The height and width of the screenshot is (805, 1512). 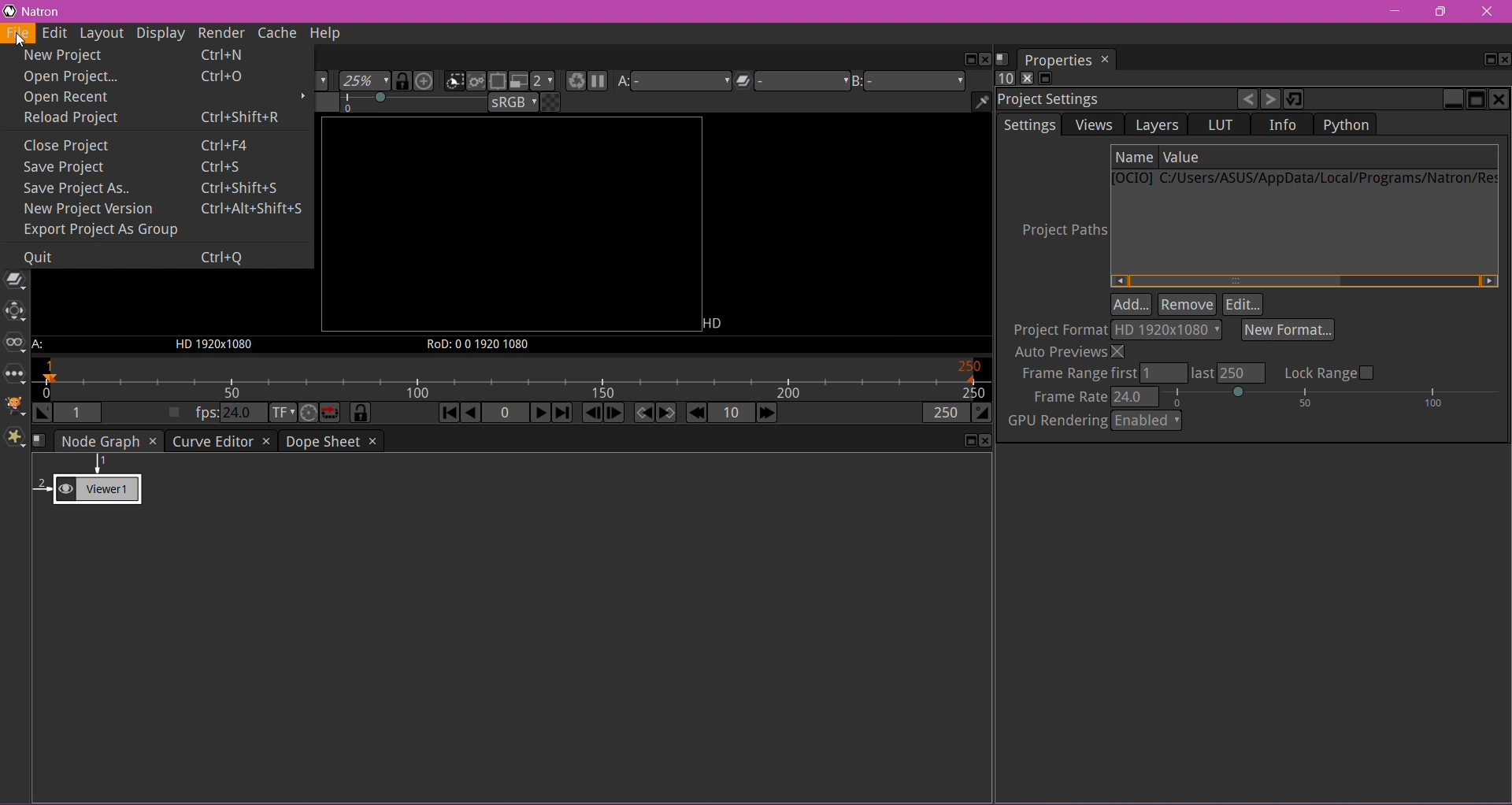 I want to click on Open Recent, so click(x=124, y=96).